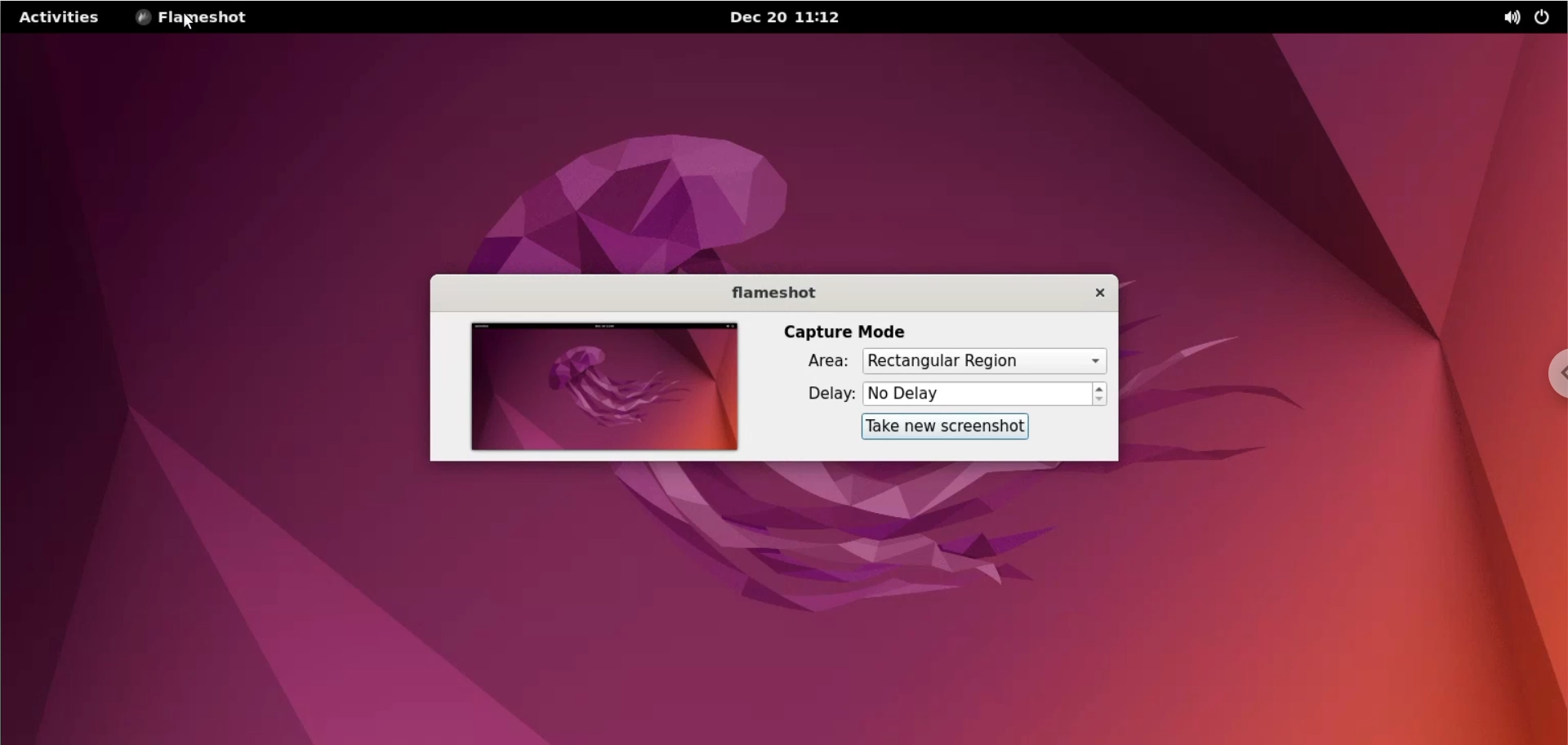  I want to click on area options, so click(984, 360).